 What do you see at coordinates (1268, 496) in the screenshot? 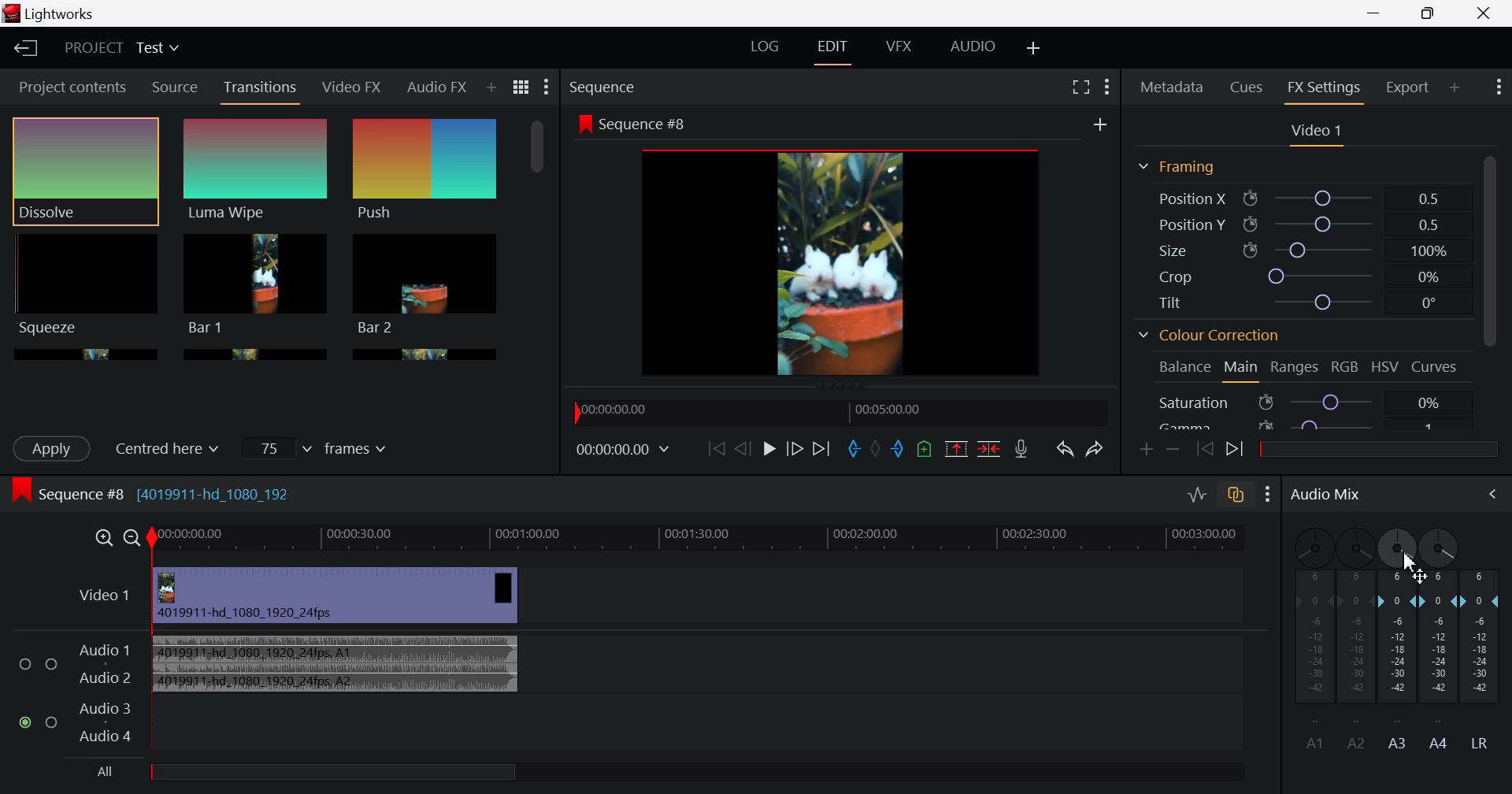
I see `Show Settings` at bounding box center [1268, 496].